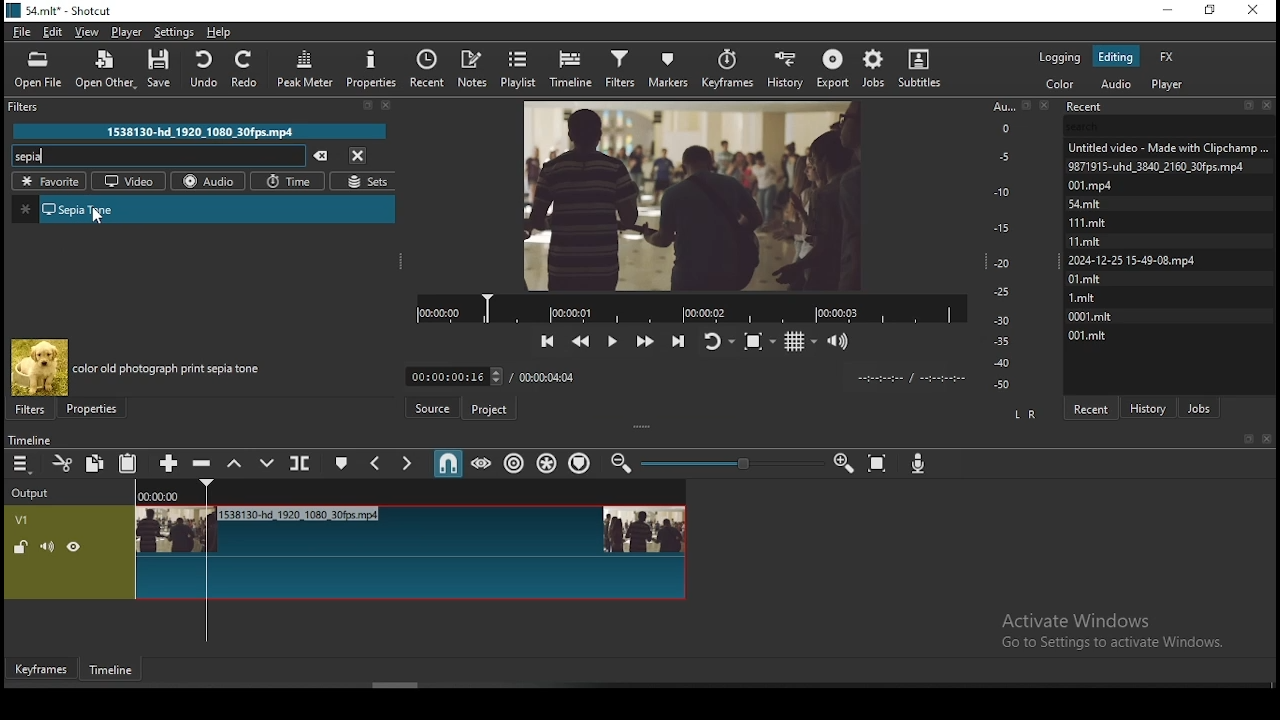  I want to click on time format, so click(915, 379).